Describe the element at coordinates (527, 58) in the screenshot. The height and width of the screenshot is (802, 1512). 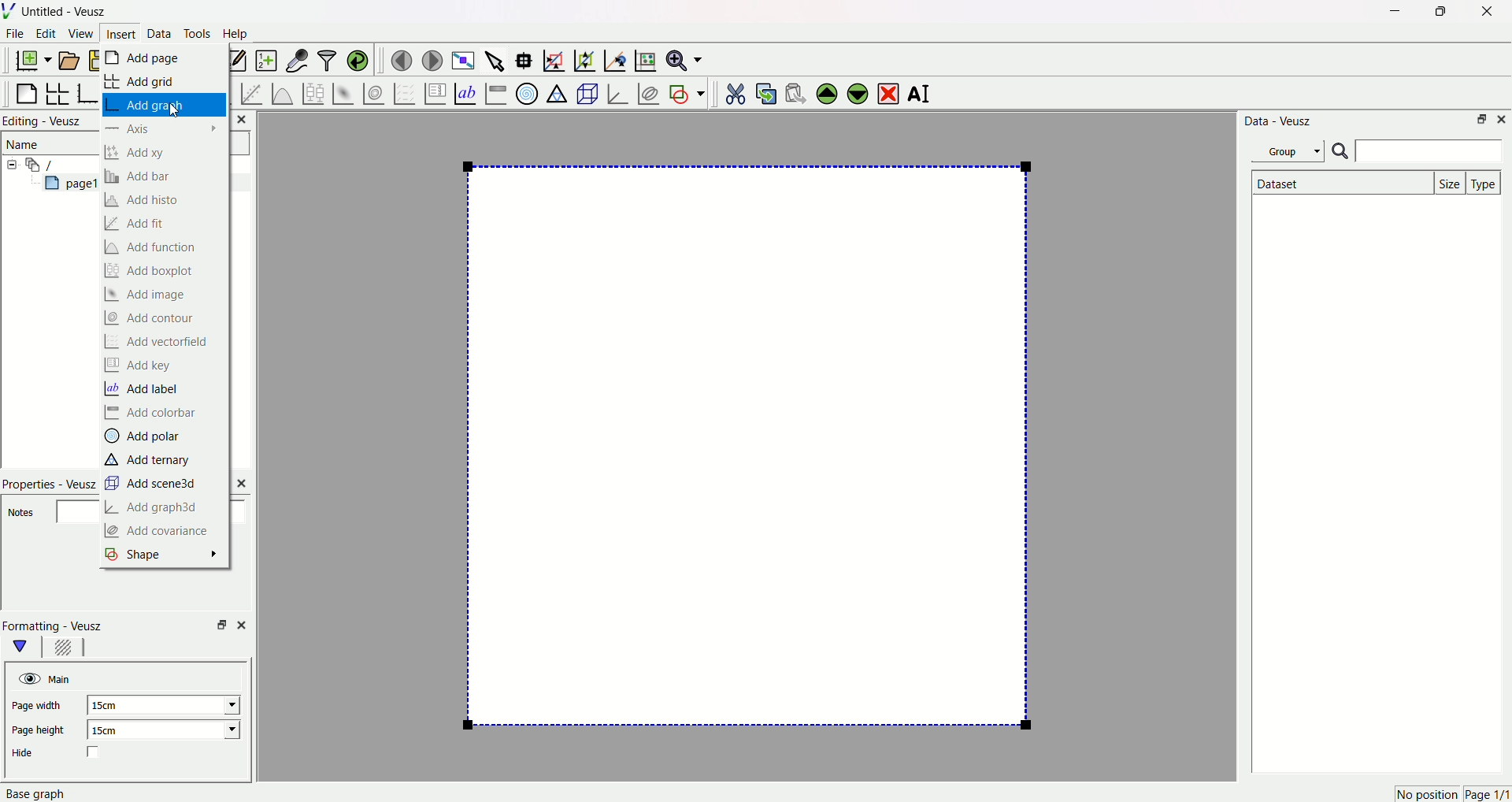
I see `read data points` at that location.